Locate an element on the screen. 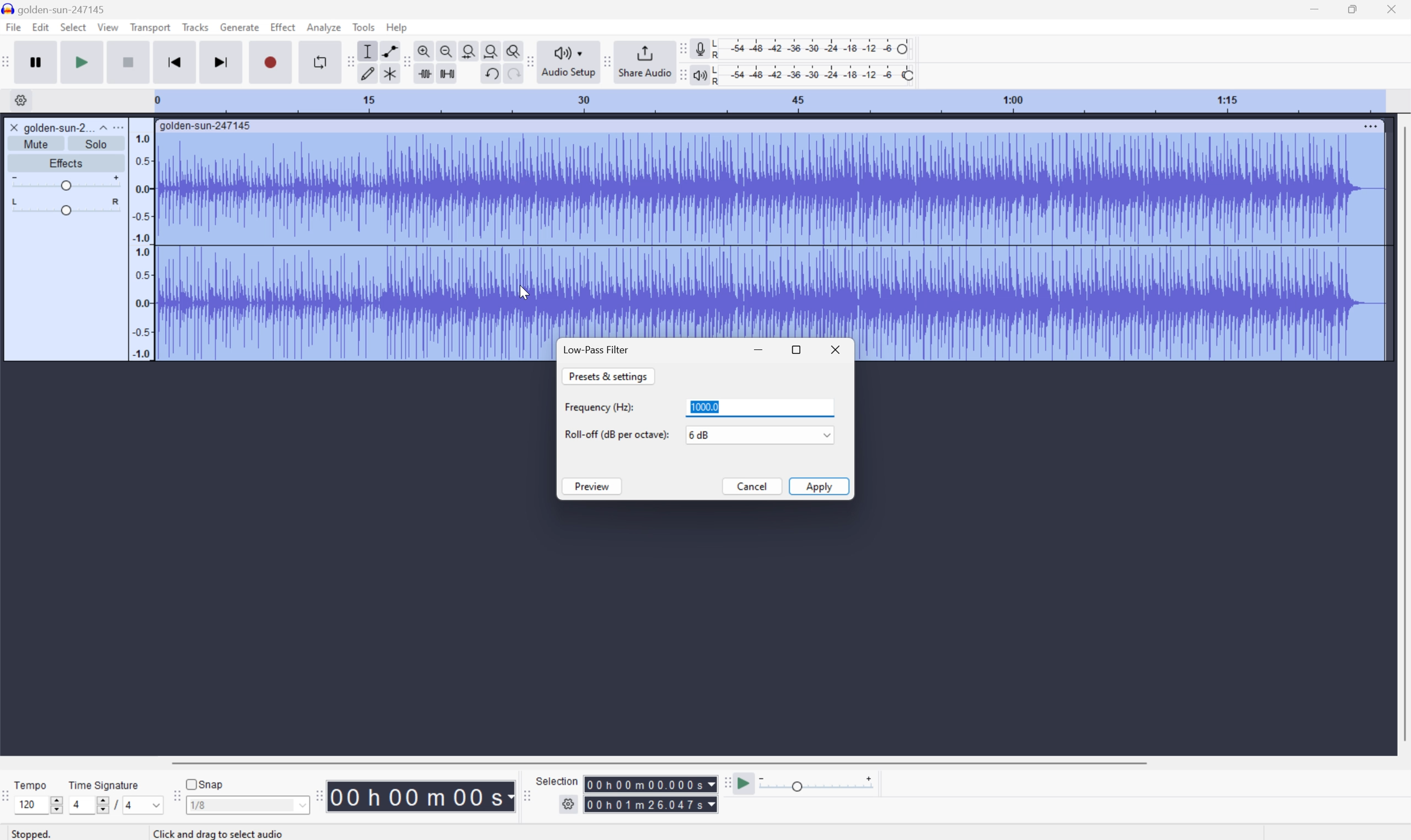  Slider is located at coordinates (66, 207).